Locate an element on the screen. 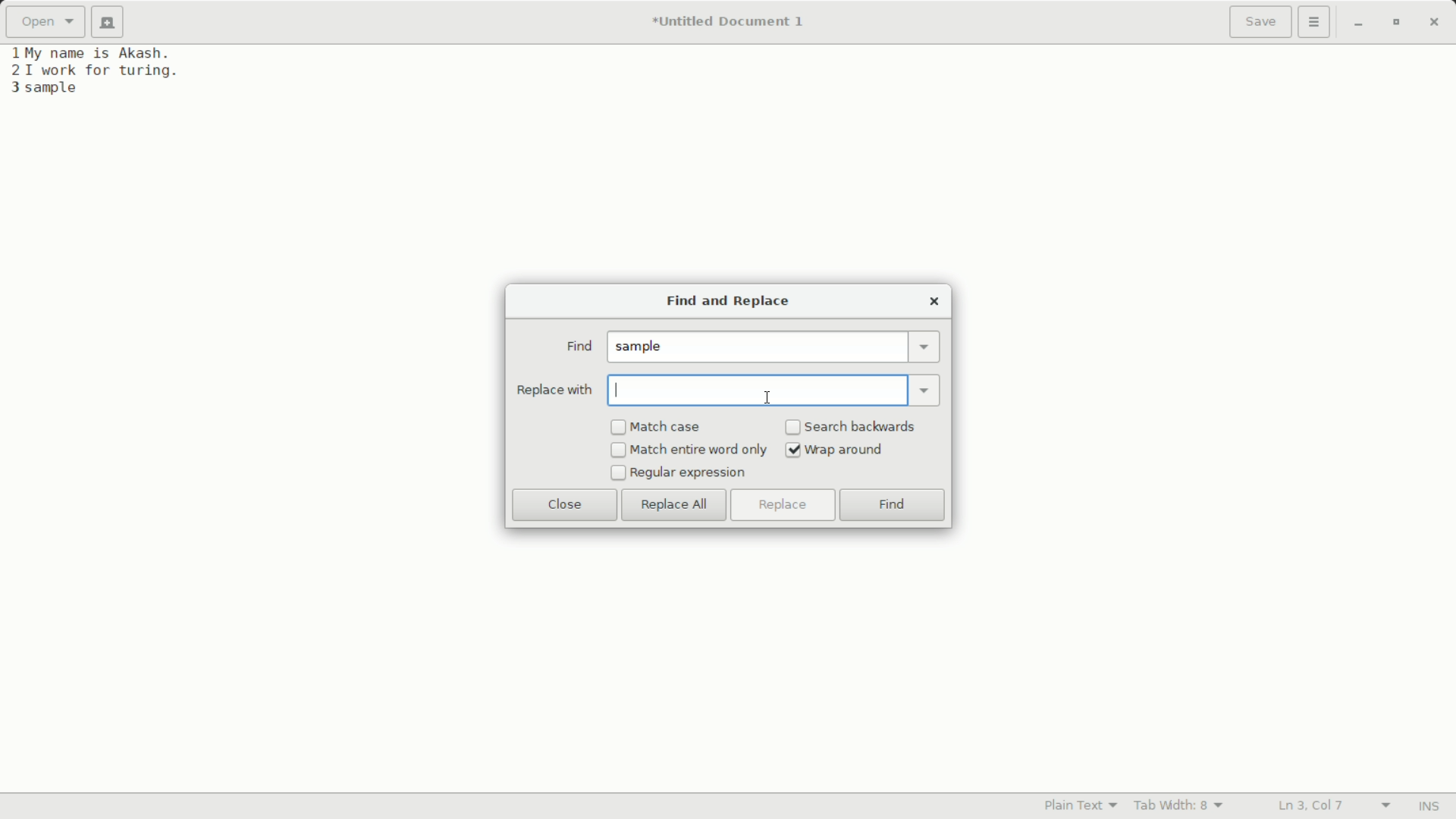 This screenshot has width=1456, height=819. close is located at coordinates (934, 301).